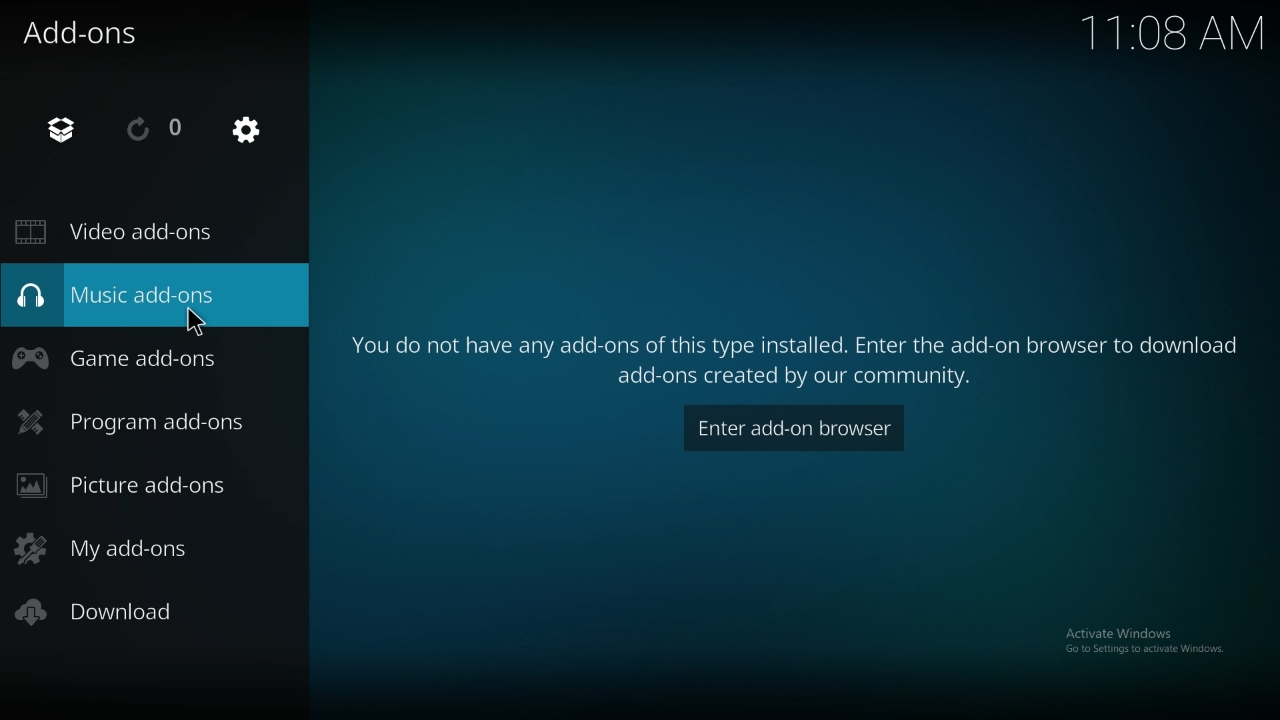  I want to click on picture add ons, so click(134, 485).